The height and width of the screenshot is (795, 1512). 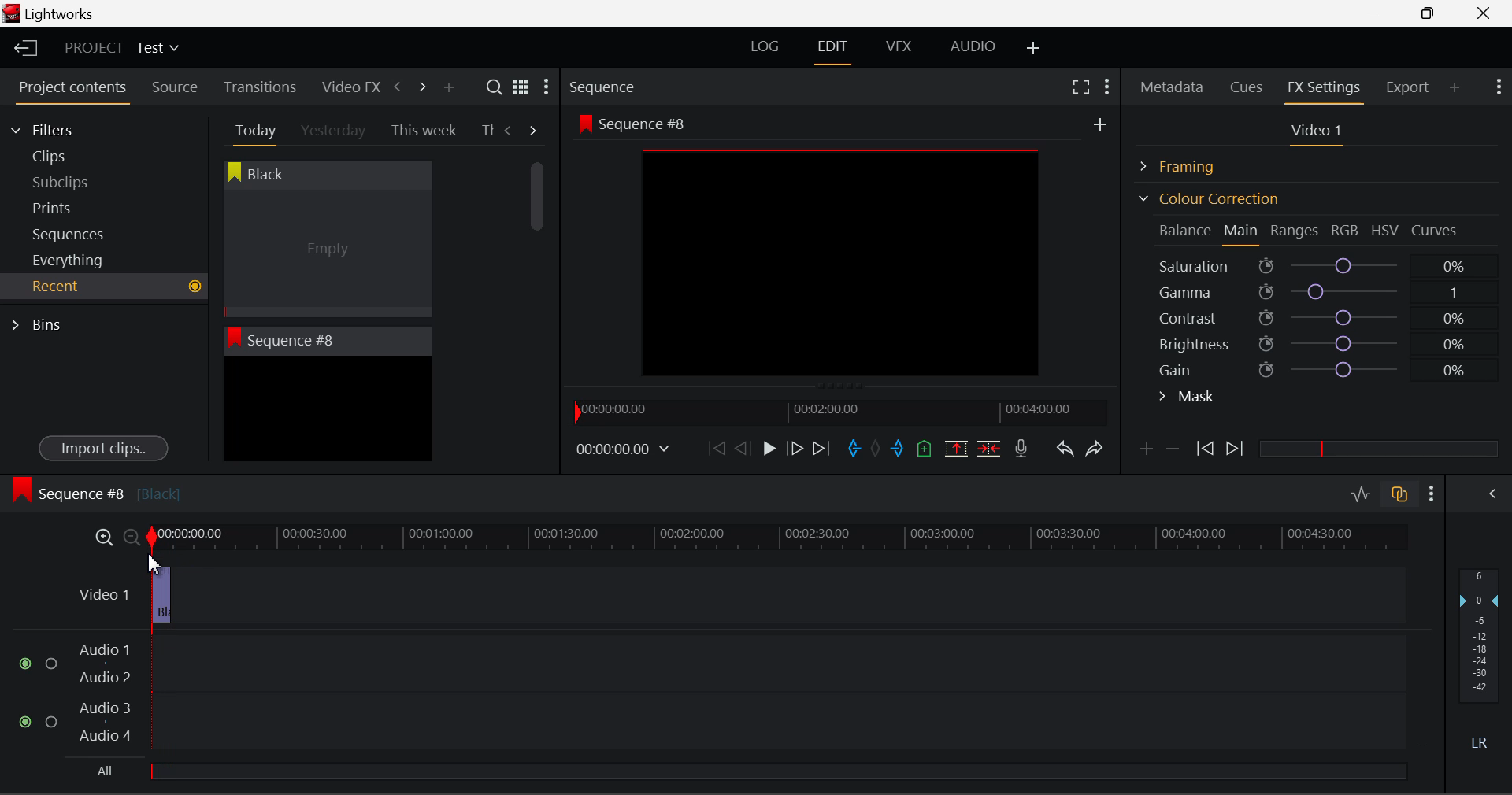 What do you see at coordinates (1362, 492) in the screenshot?
I see `Toggle audio editing levels` at bounding box center [1362, 492].